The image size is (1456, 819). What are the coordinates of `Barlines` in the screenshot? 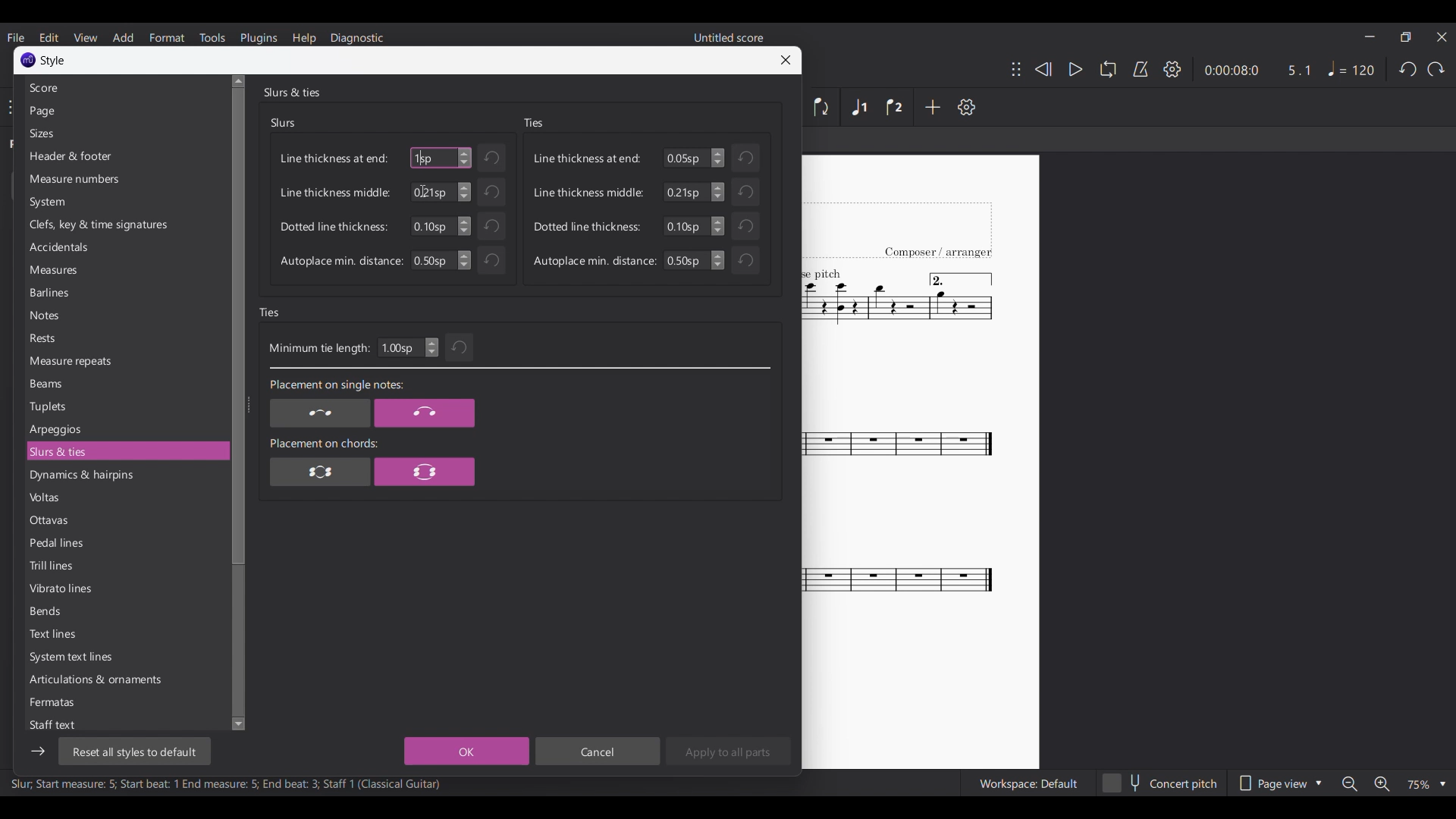 It's located at (125, 292).